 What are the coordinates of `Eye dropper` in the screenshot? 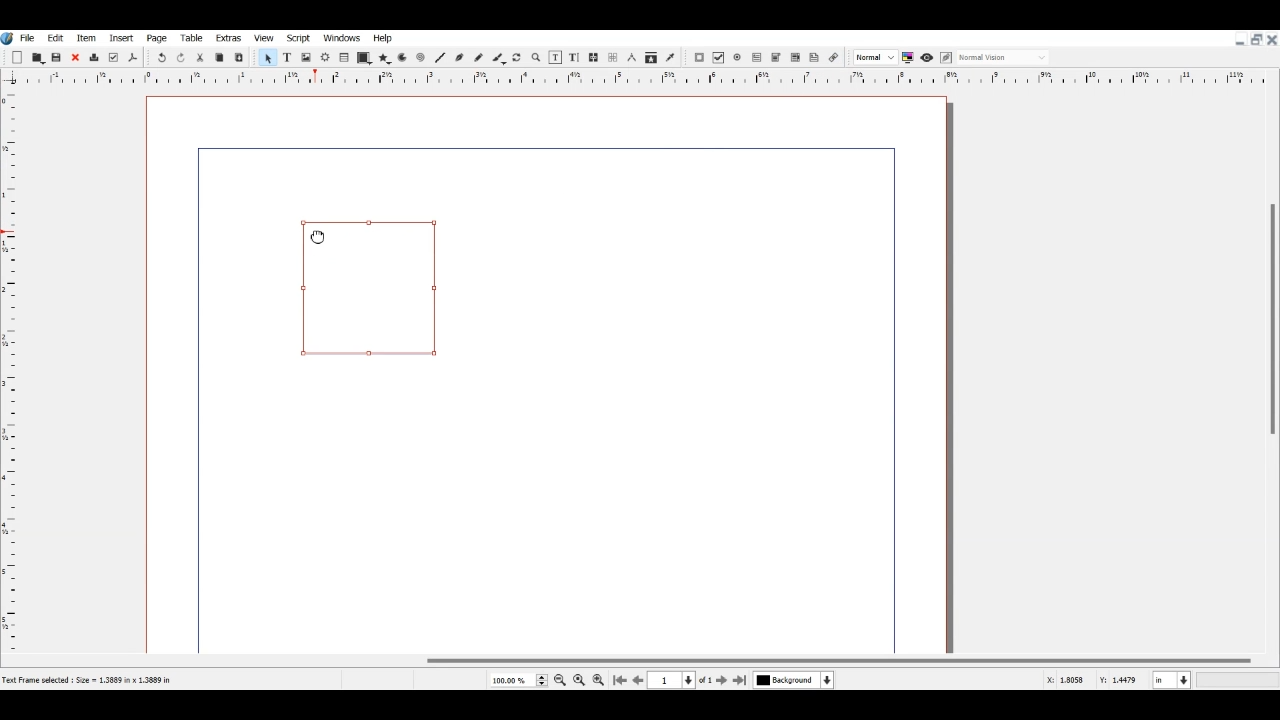 It's located at (670, 57).